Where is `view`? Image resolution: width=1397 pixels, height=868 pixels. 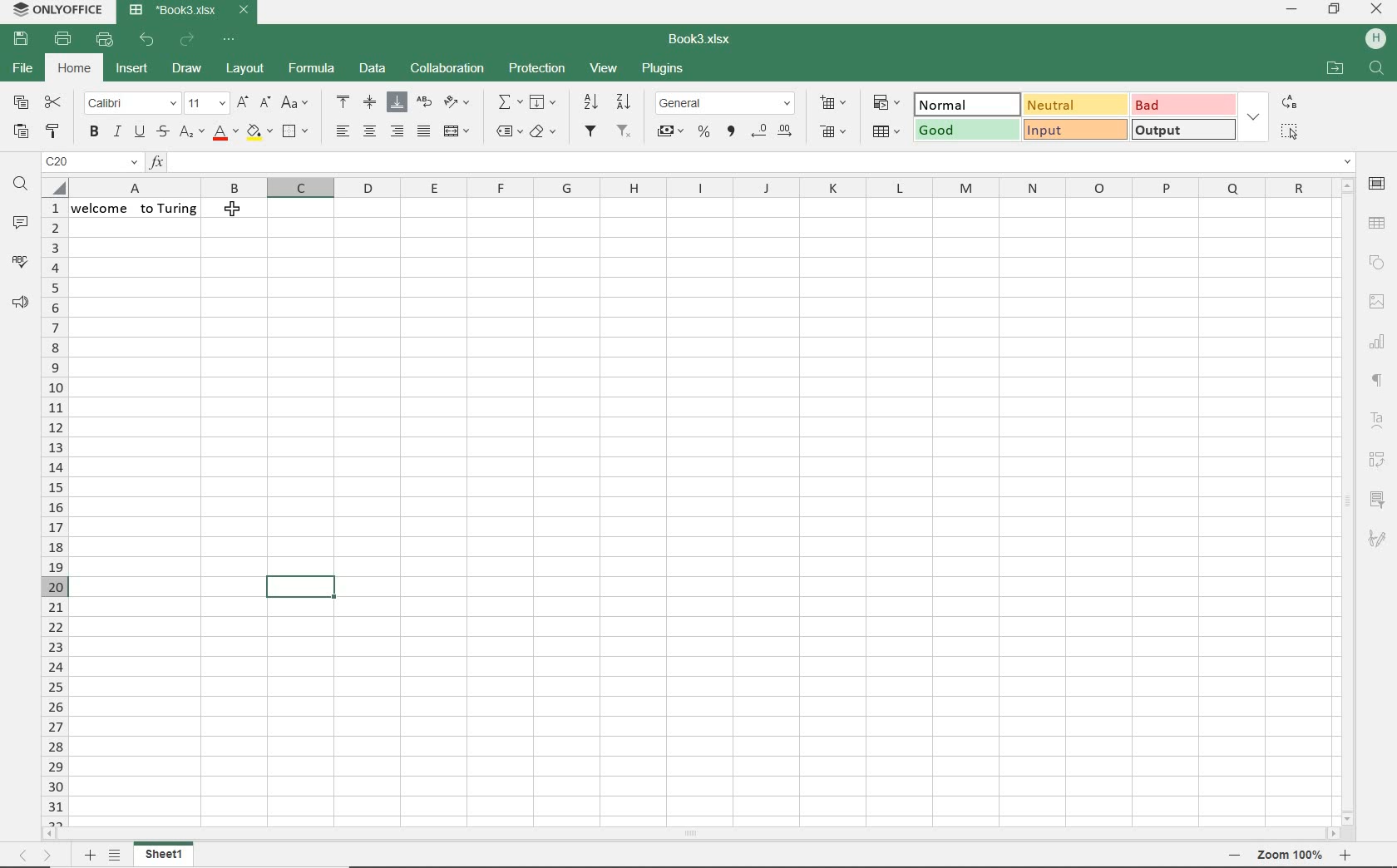
view is located at coordinates (605, 70).